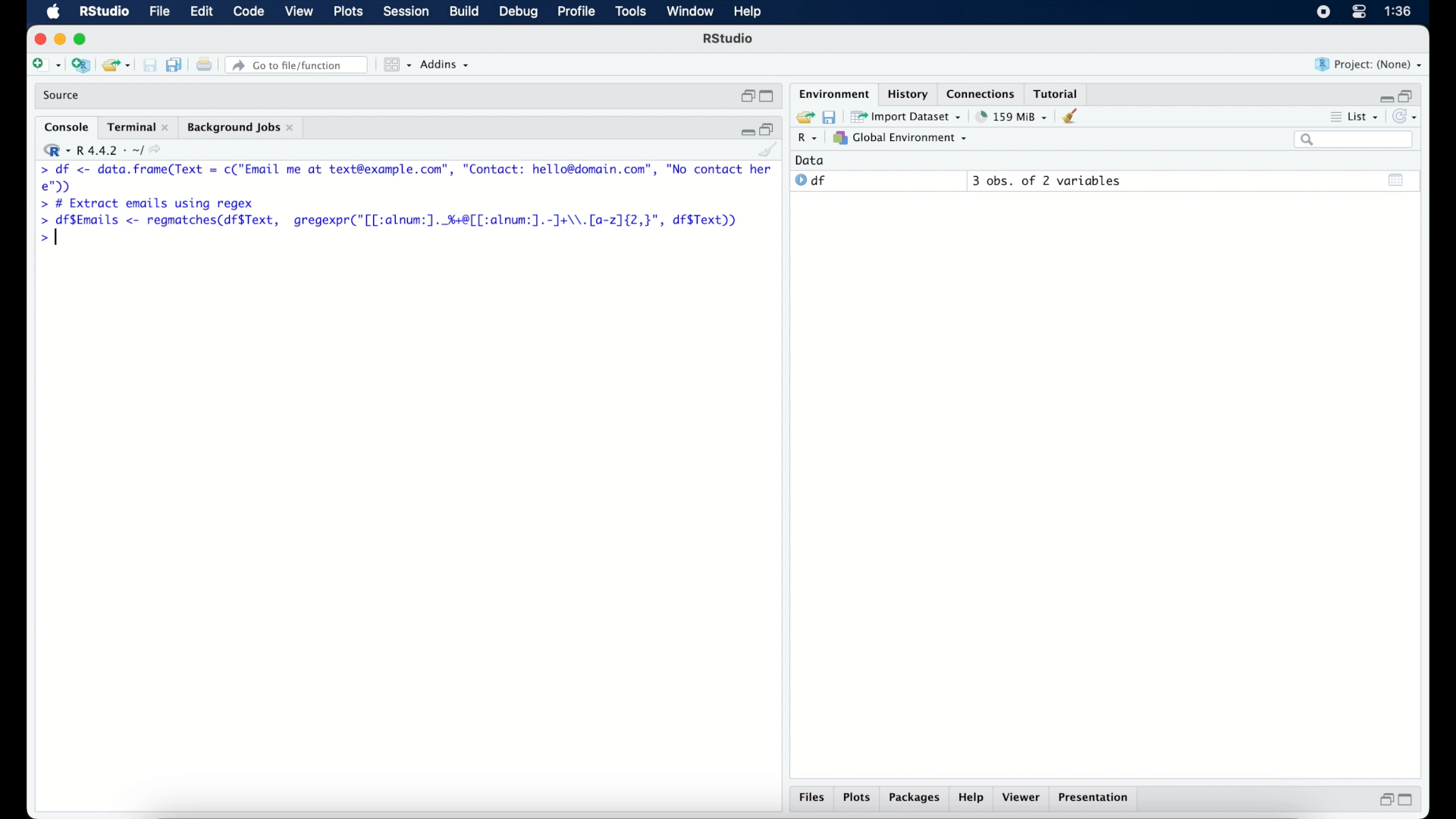 The height and width of the screenshot is (819, 1456). What do you see at coordinates (243, 128) in the screenshot?
I see `background jobs` at bounding box center [243, 128].